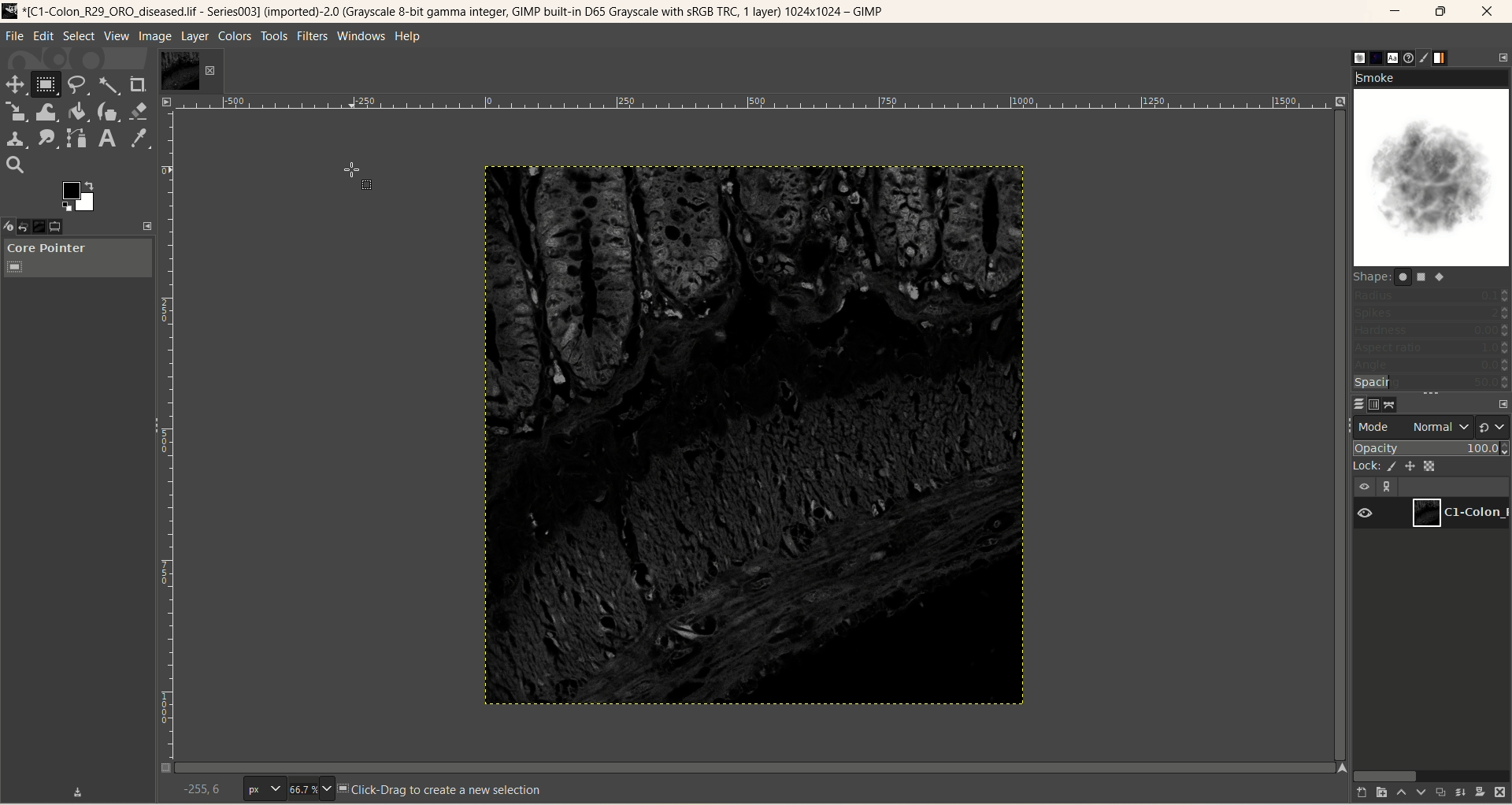 The image size is (1512, 805). What do you see at coordinates (1495, 10) in the screenshot?
I see `close` at bounding box center [1495, 10].